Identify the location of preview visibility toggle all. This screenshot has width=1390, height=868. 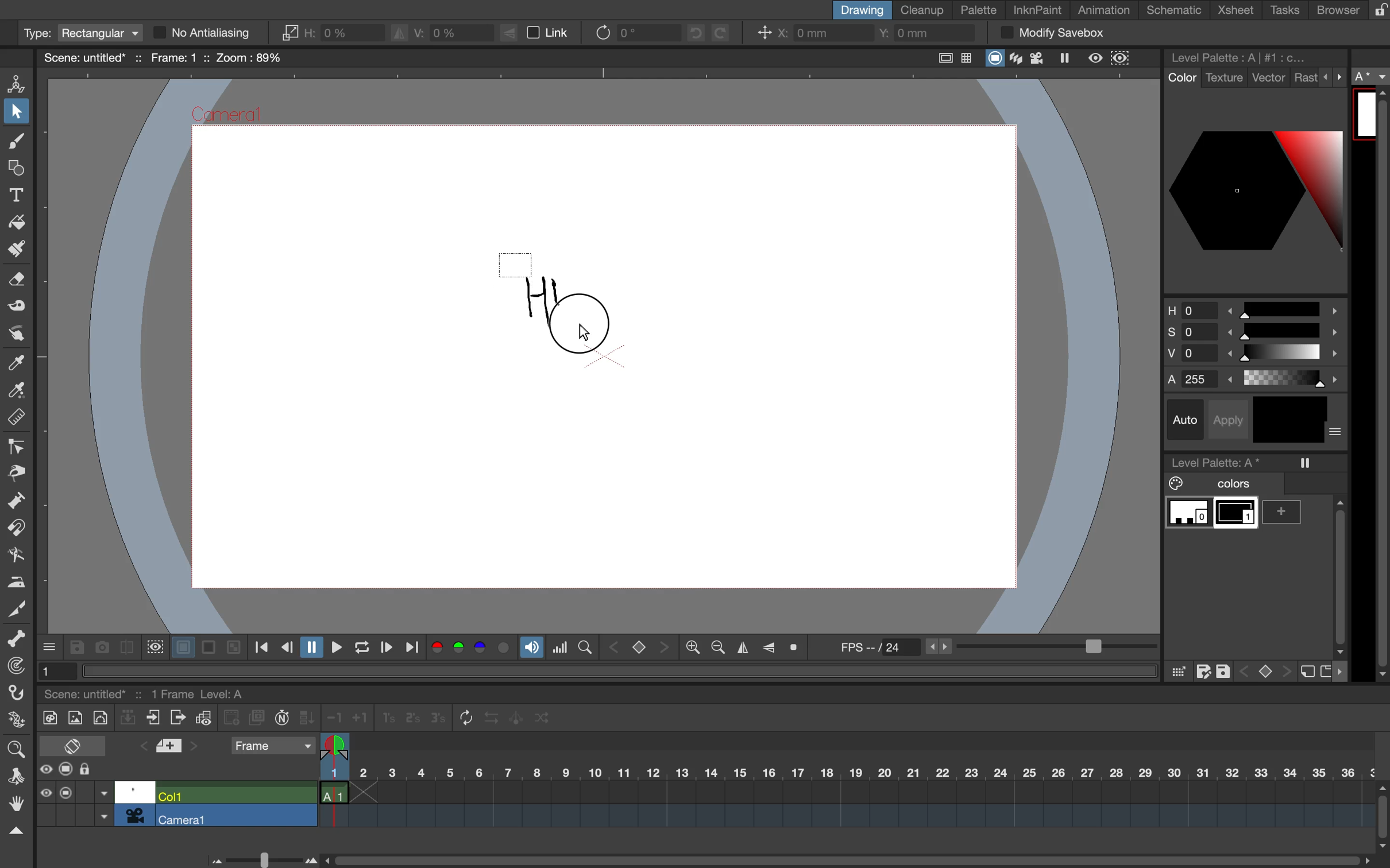
(45, 769).